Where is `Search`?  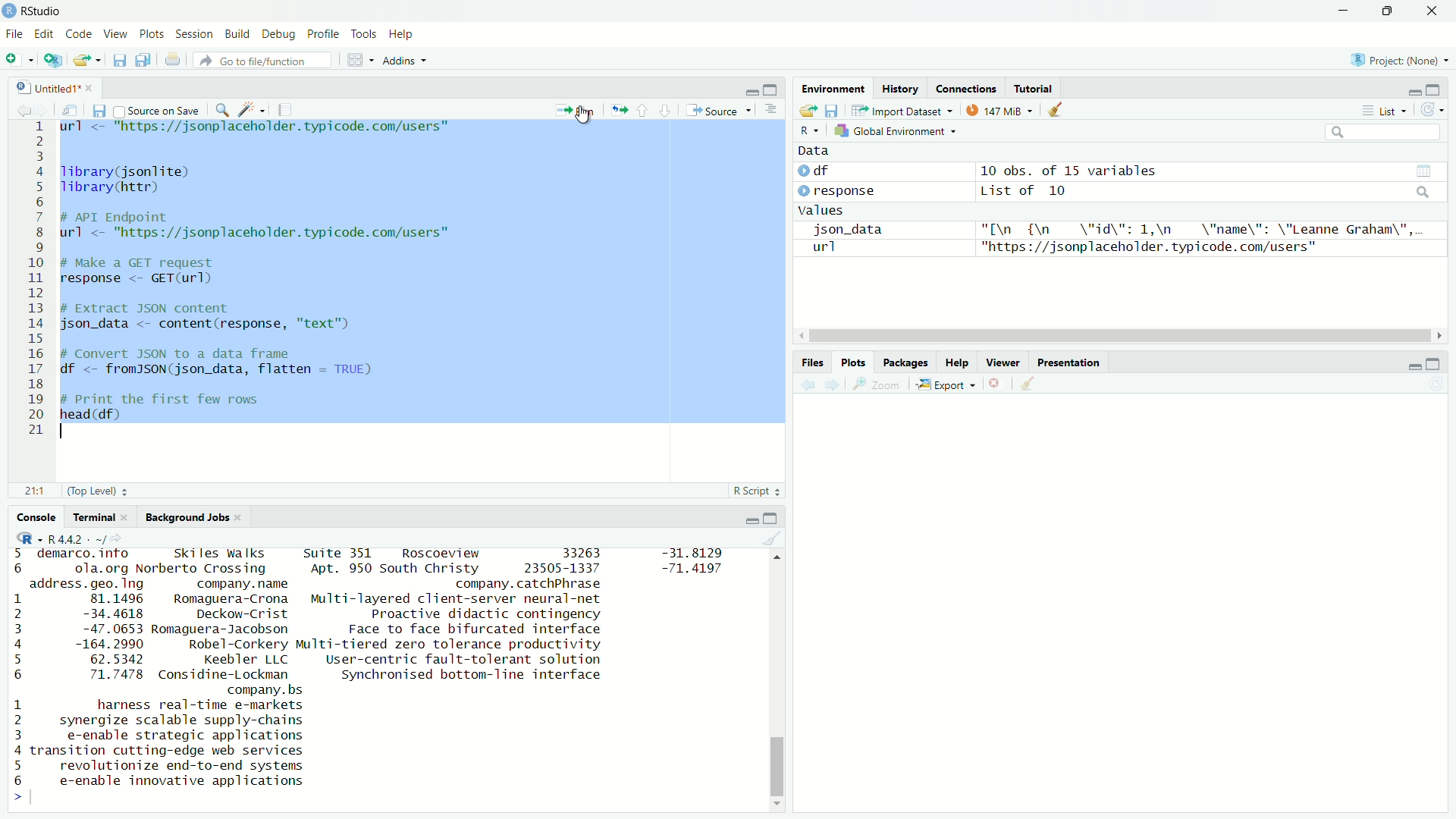 Search is located at coordinates (1424, 192).